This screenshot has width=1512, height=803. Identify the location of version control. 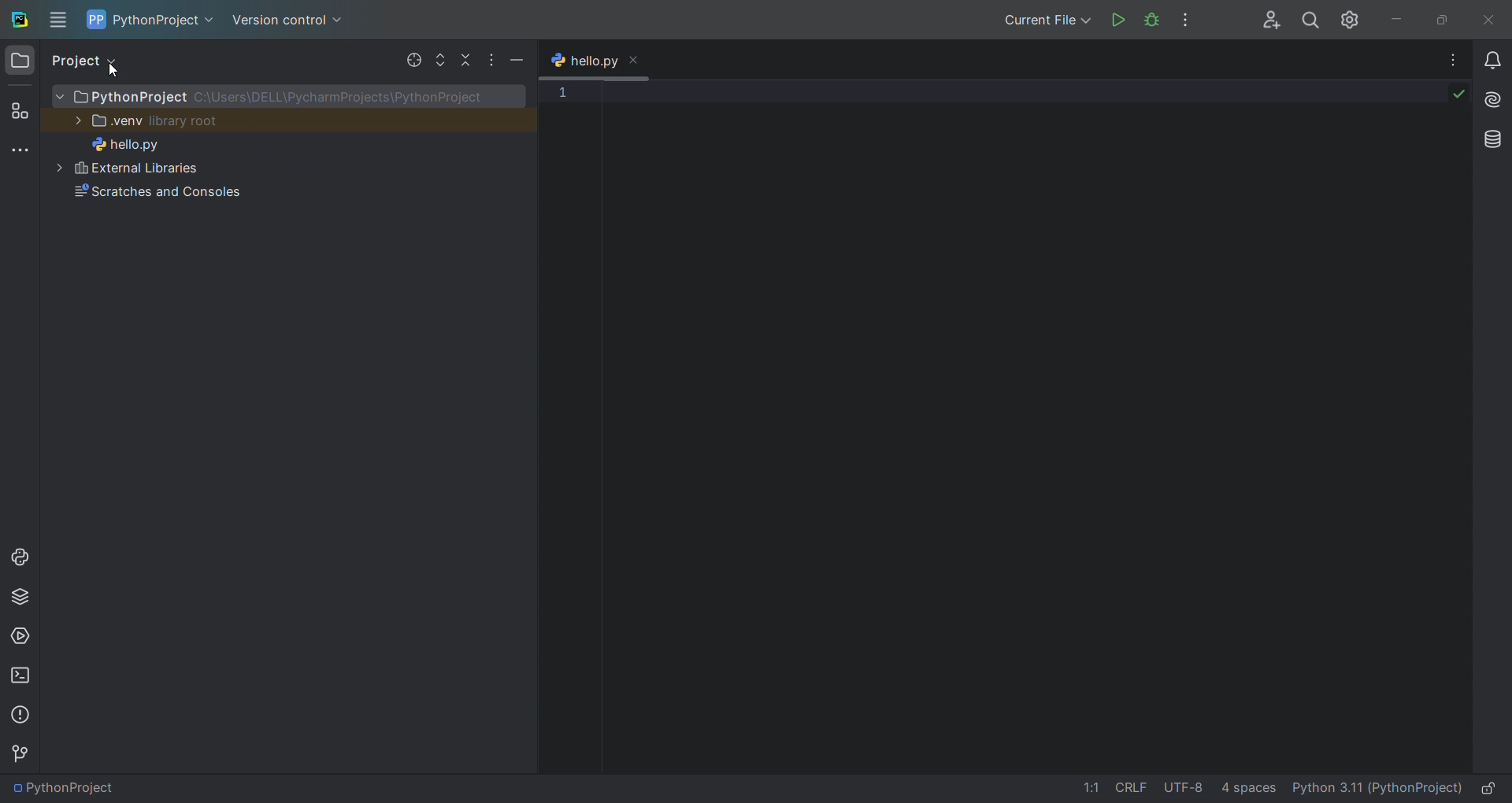
(293, 22).